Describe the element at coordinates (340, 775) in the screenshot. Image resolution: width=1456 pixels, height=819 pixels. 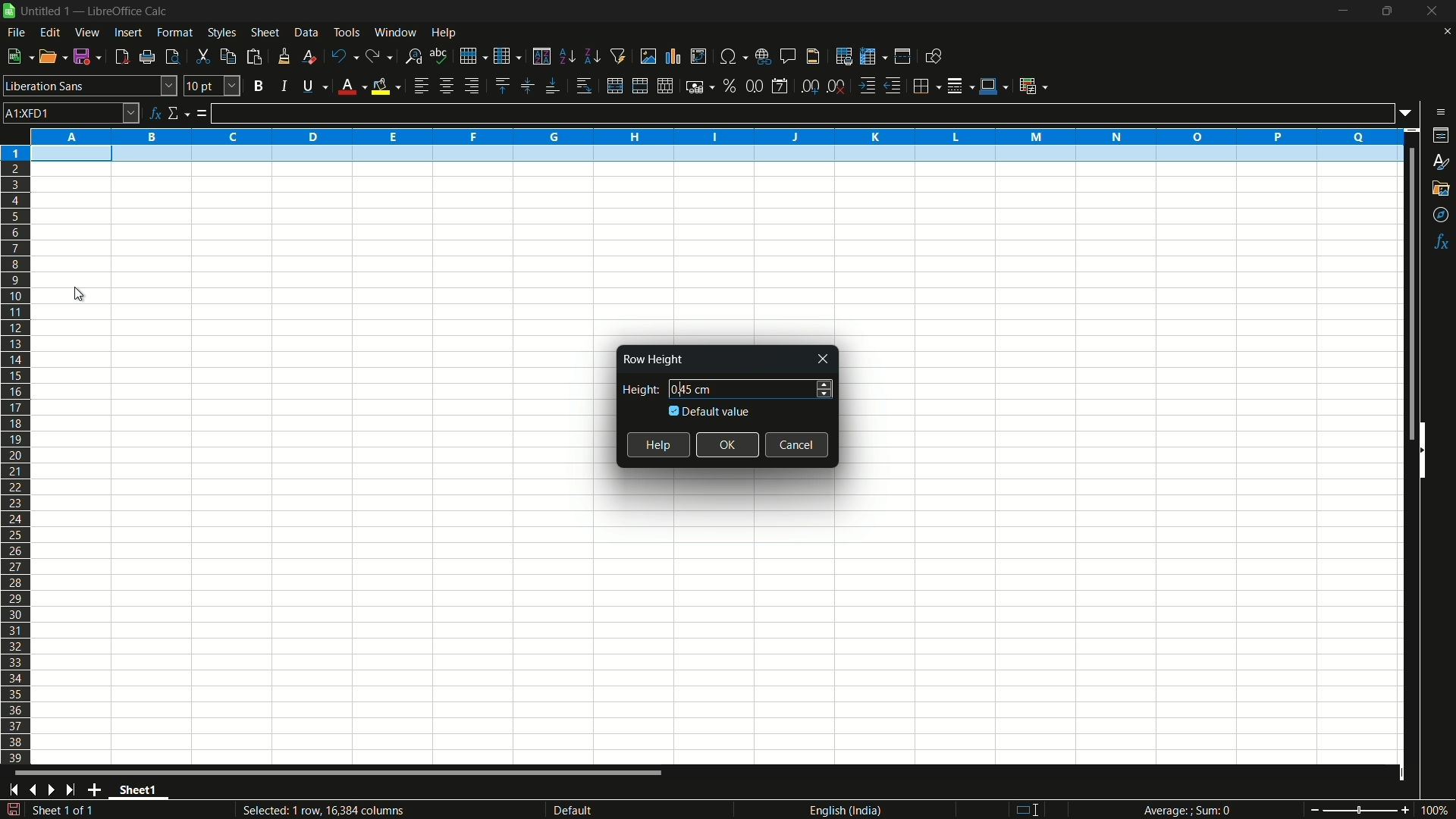
I see `scroll bar` at that location.